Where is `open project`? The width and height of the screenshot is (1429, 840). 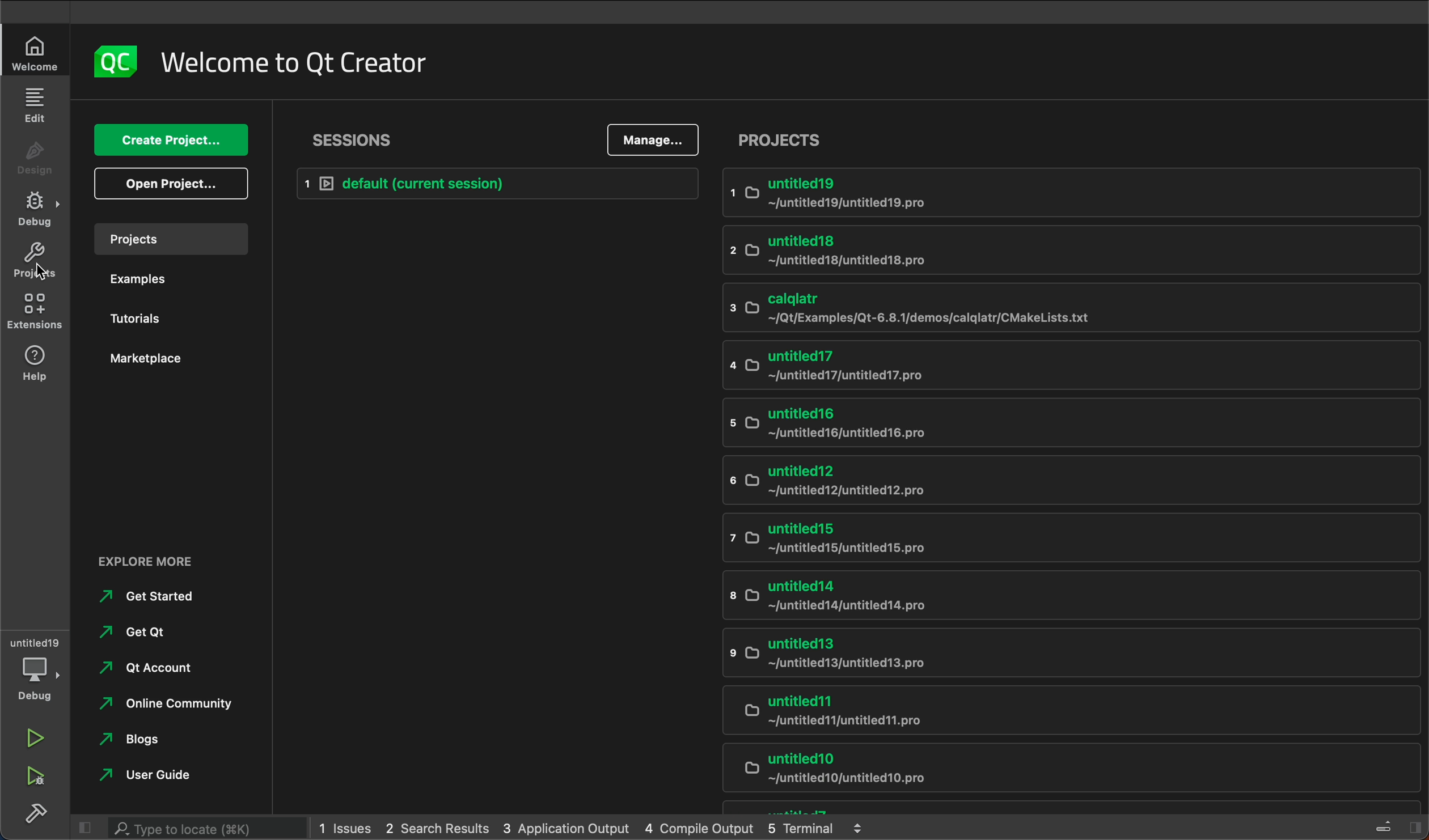 open project is located at coordinates (170, 184).